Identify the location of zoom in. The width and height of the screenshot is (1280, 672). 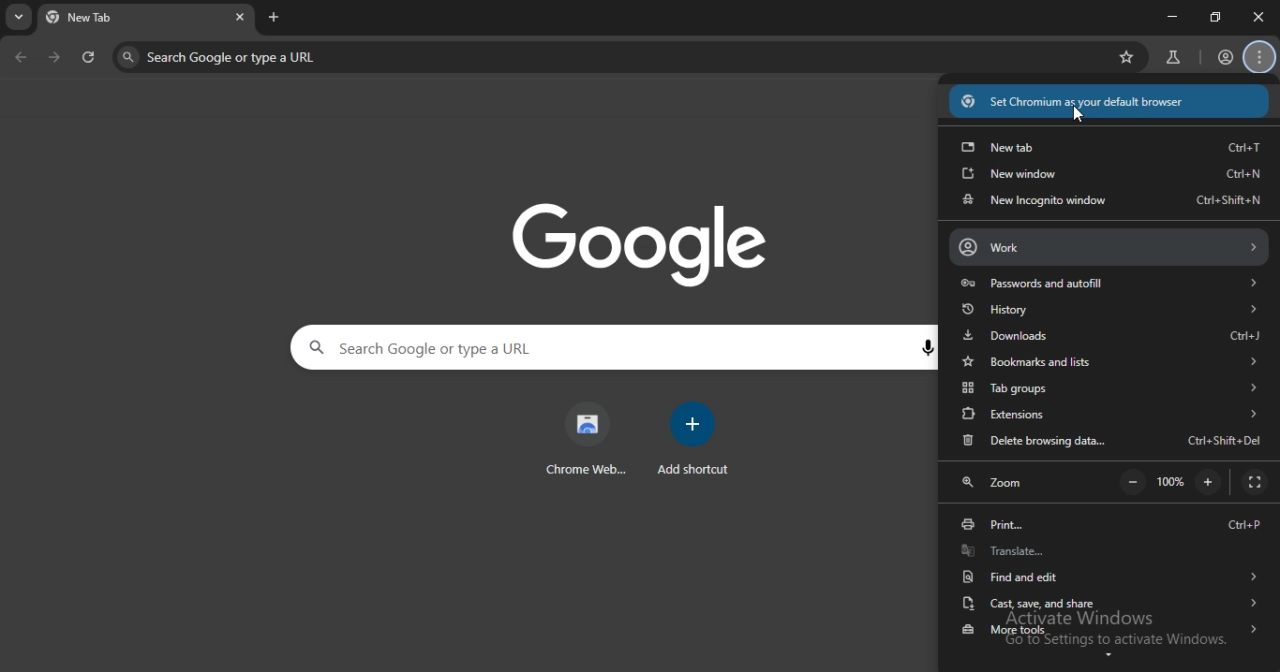
(1207, 481).